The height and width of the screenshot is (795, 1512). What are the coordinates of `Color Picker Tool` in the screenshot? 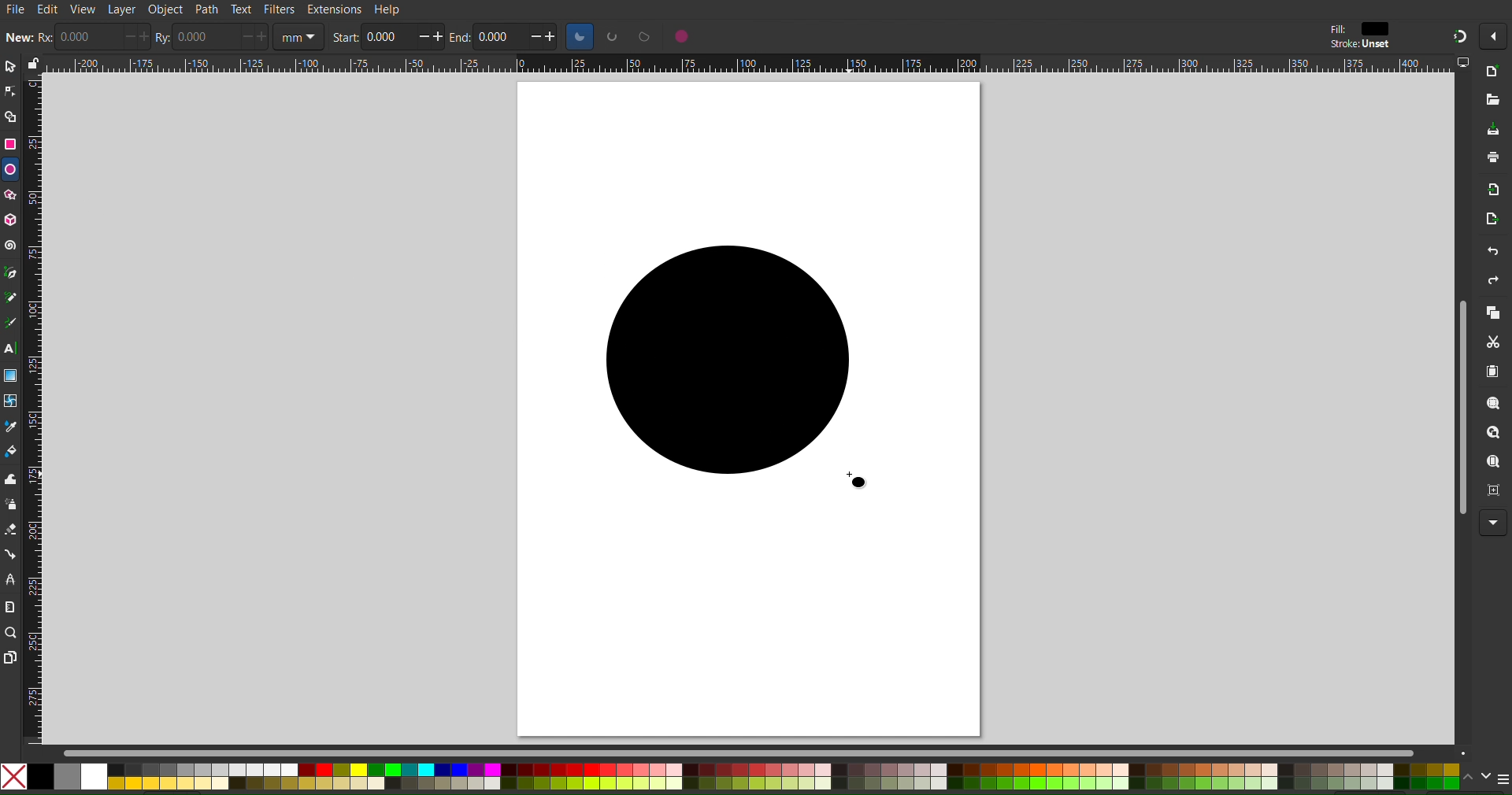 It's located at (11, 427).